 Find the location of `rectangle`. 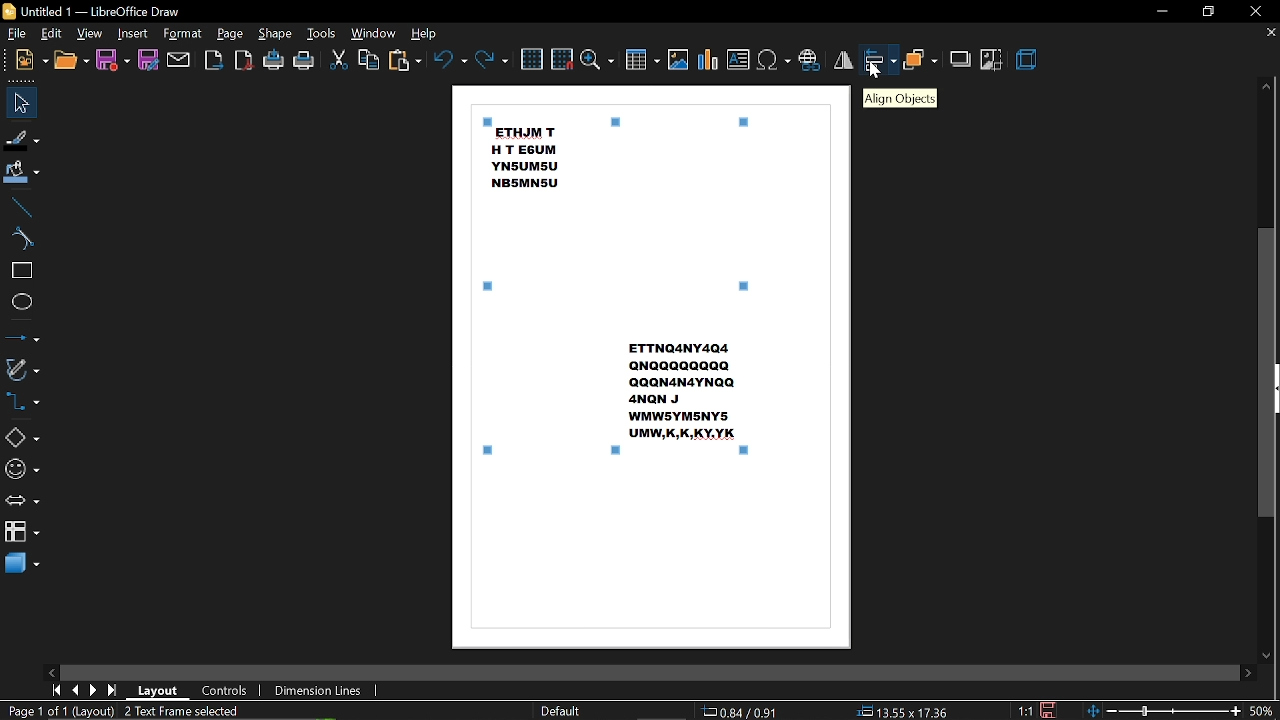

rectangle is located at coordinates (20, 272).